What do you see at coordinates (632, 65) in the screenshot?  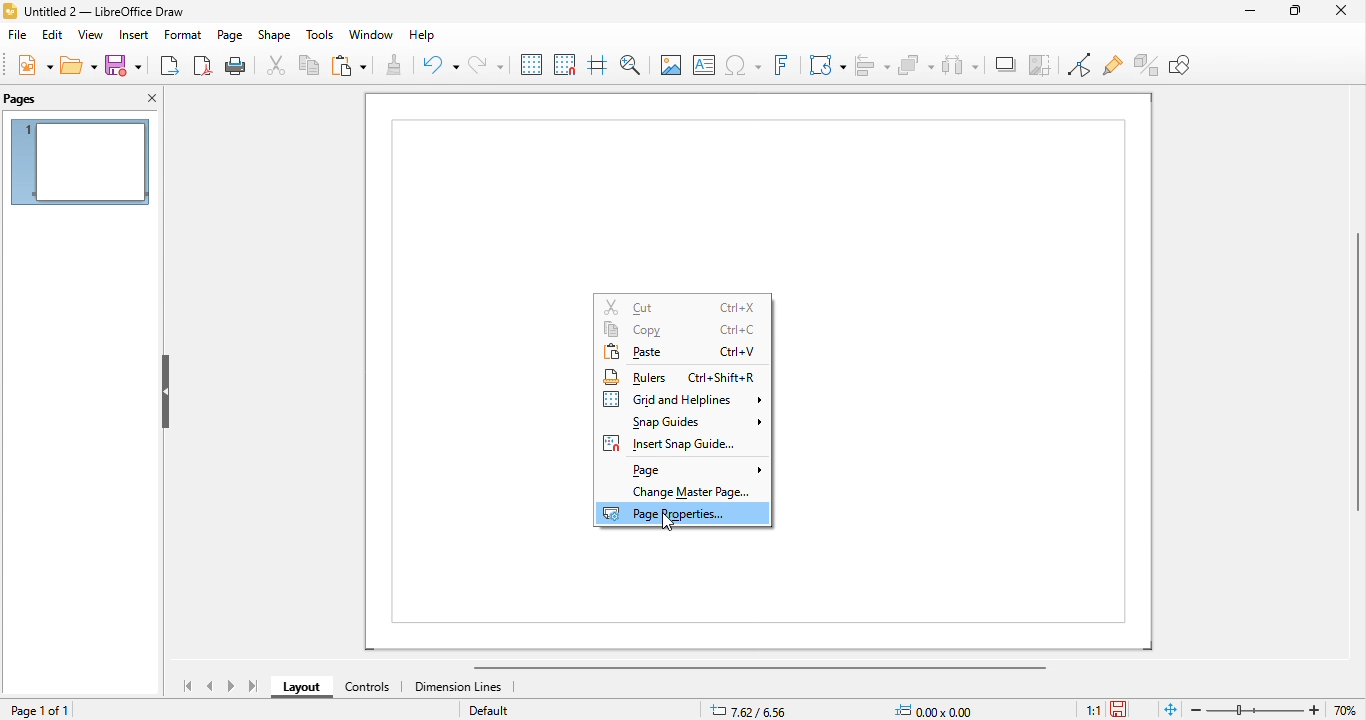 I see `zoom and pan` at bounding box center [632, 65].